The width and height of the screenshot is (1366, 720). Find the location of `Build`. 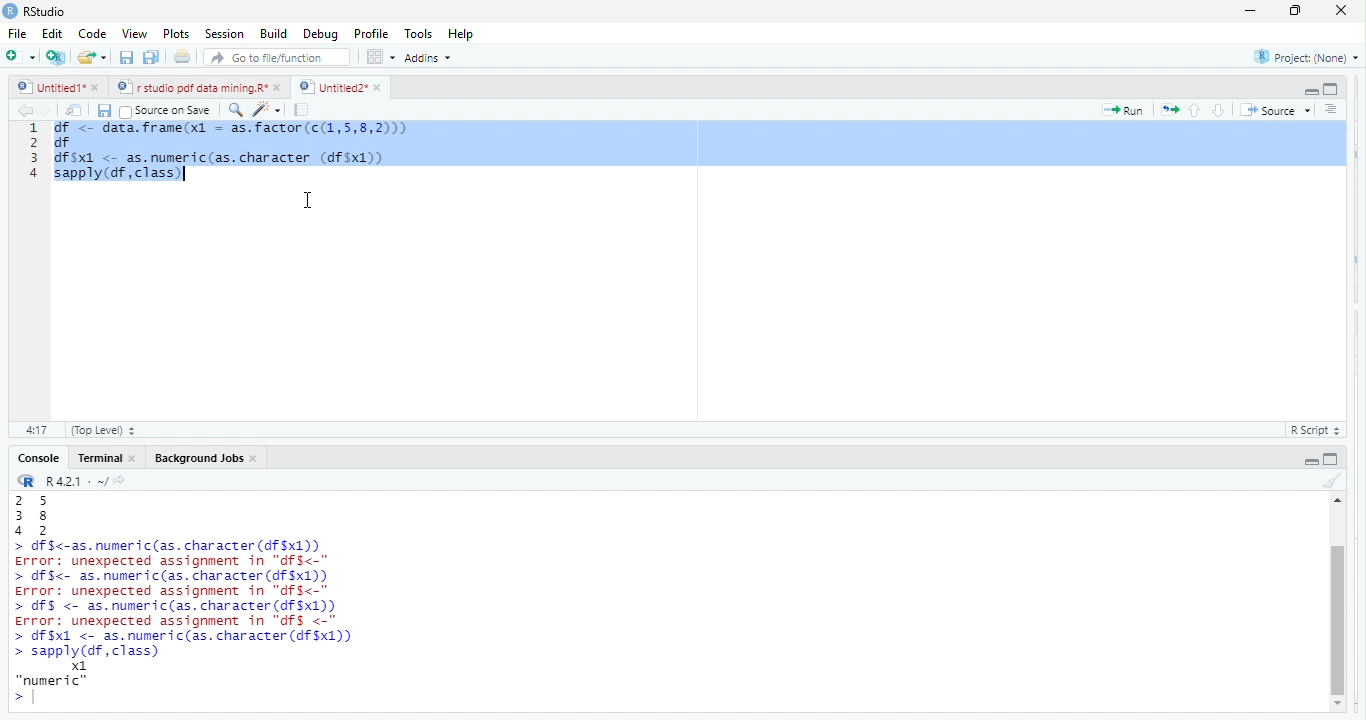

Build is located at coordinates (274, 34).